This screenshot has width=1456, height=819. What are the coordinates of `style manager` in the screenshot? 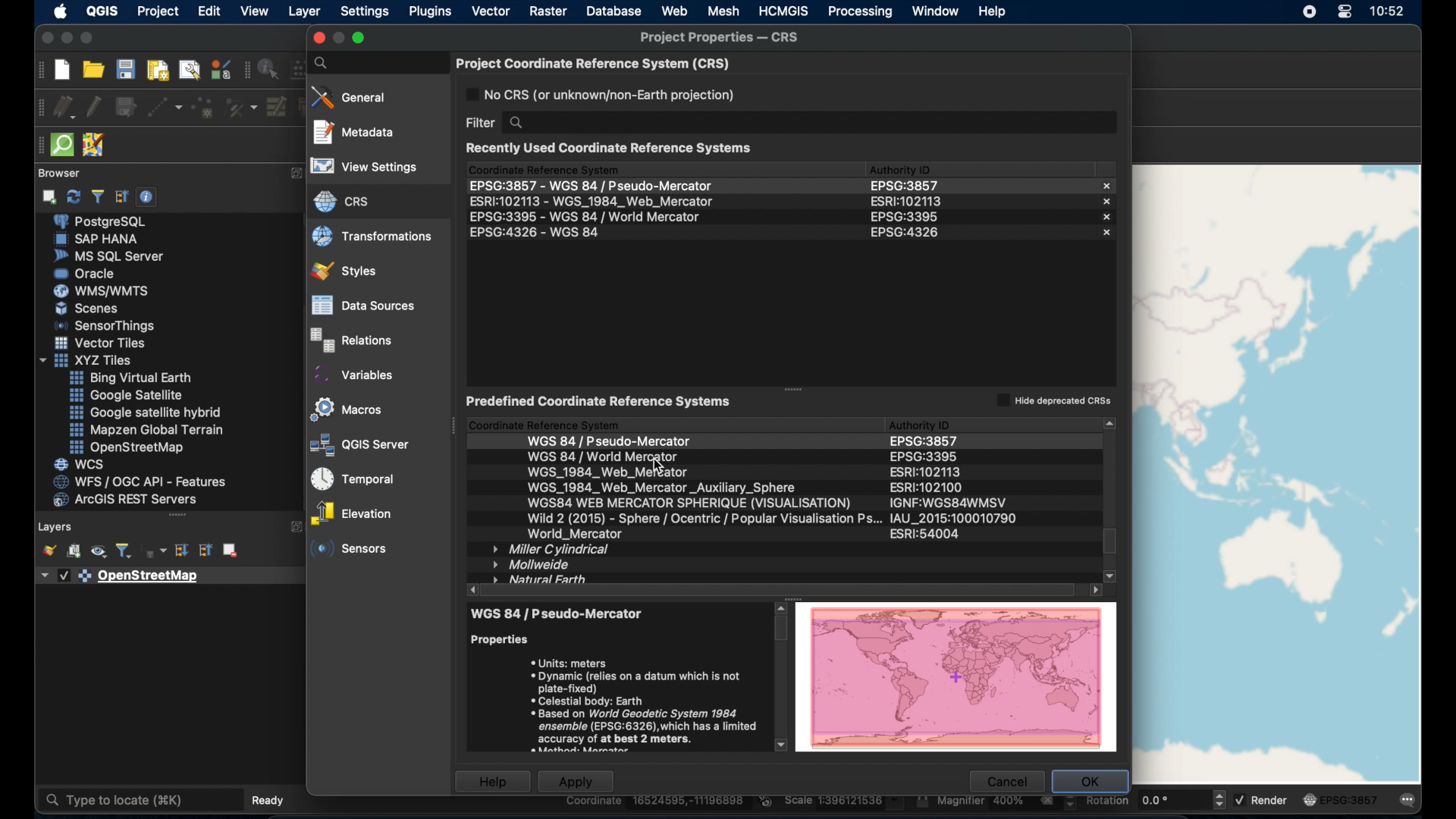 It's located at (220, 69).